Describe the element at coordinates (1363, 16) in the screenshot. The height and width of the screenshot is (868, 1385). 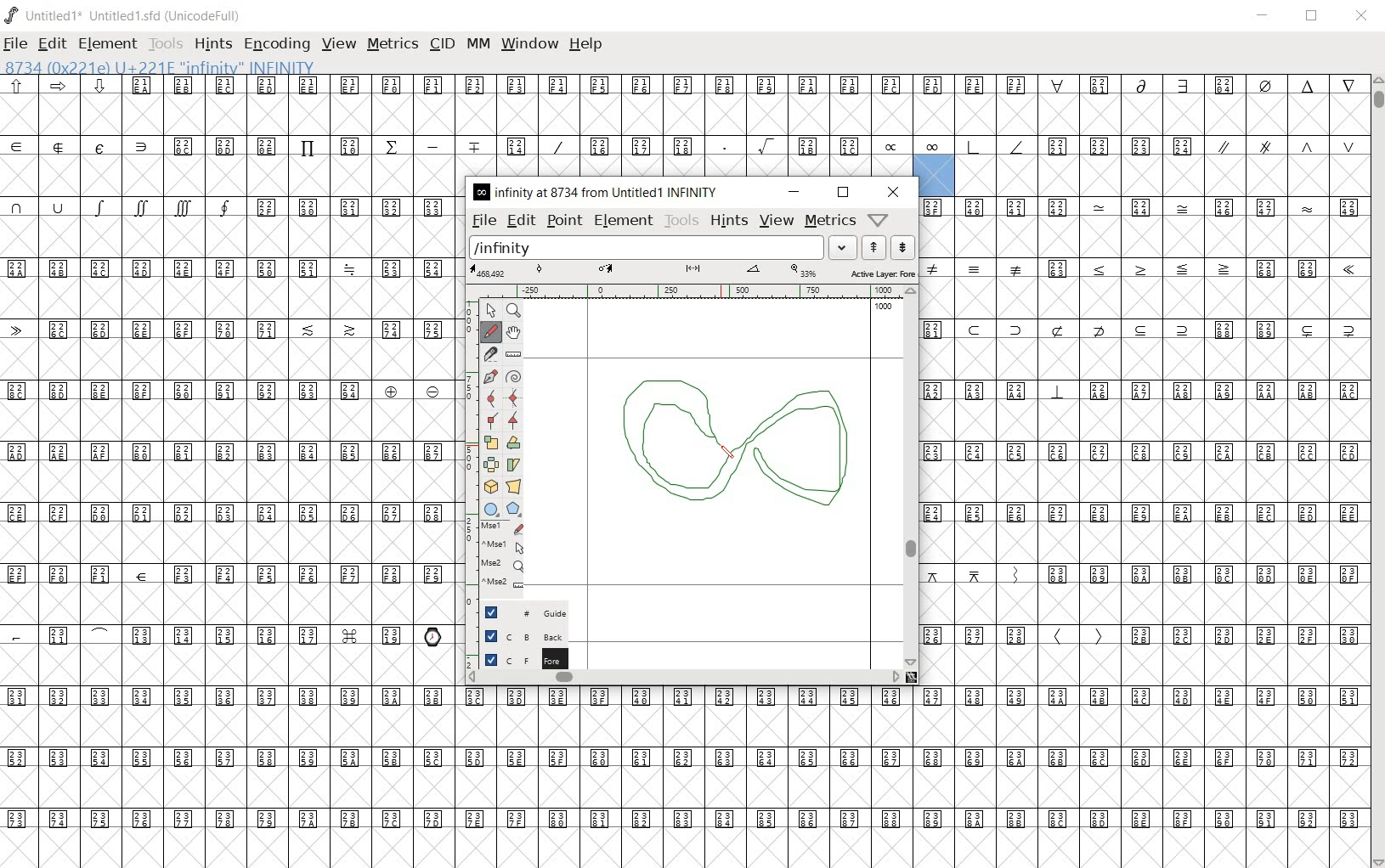
I see `close` at that location.